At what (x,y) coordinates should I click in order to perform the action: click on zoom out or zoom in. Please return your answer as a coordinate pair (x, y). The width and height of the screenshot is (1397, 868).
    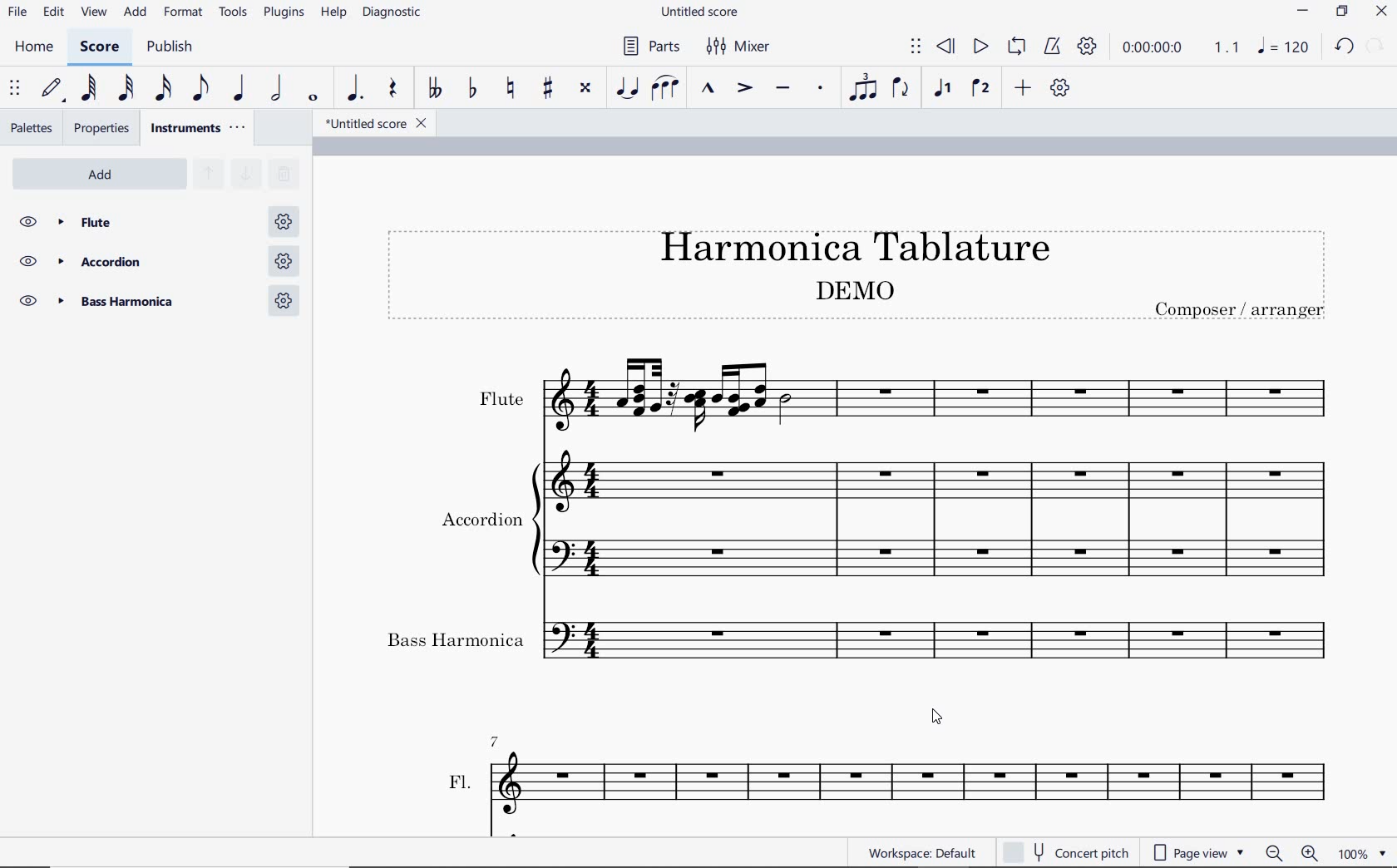
    Looking at the image, I should click on (1291, 854).